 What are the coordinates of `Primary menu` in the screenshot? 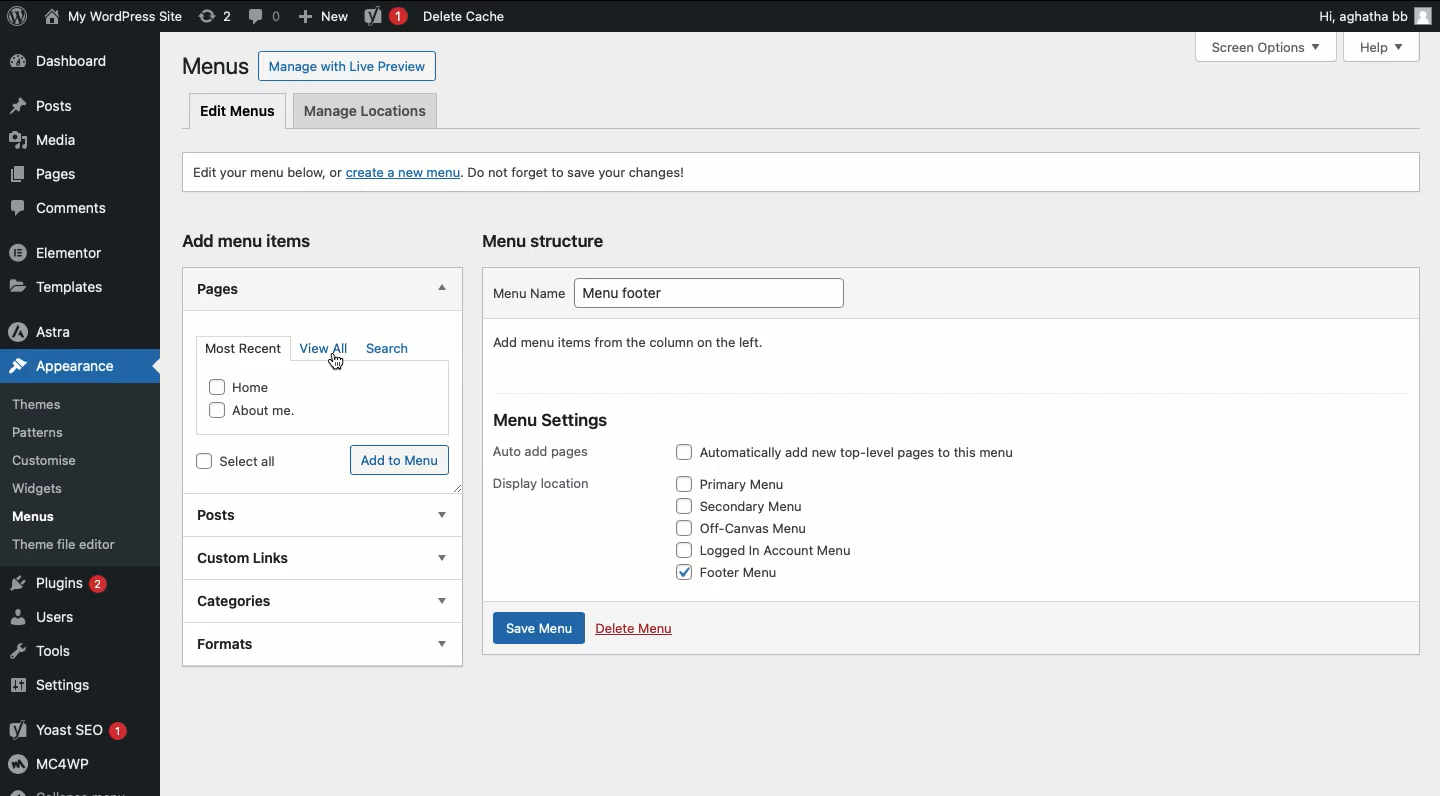 It's located at (754, 485).